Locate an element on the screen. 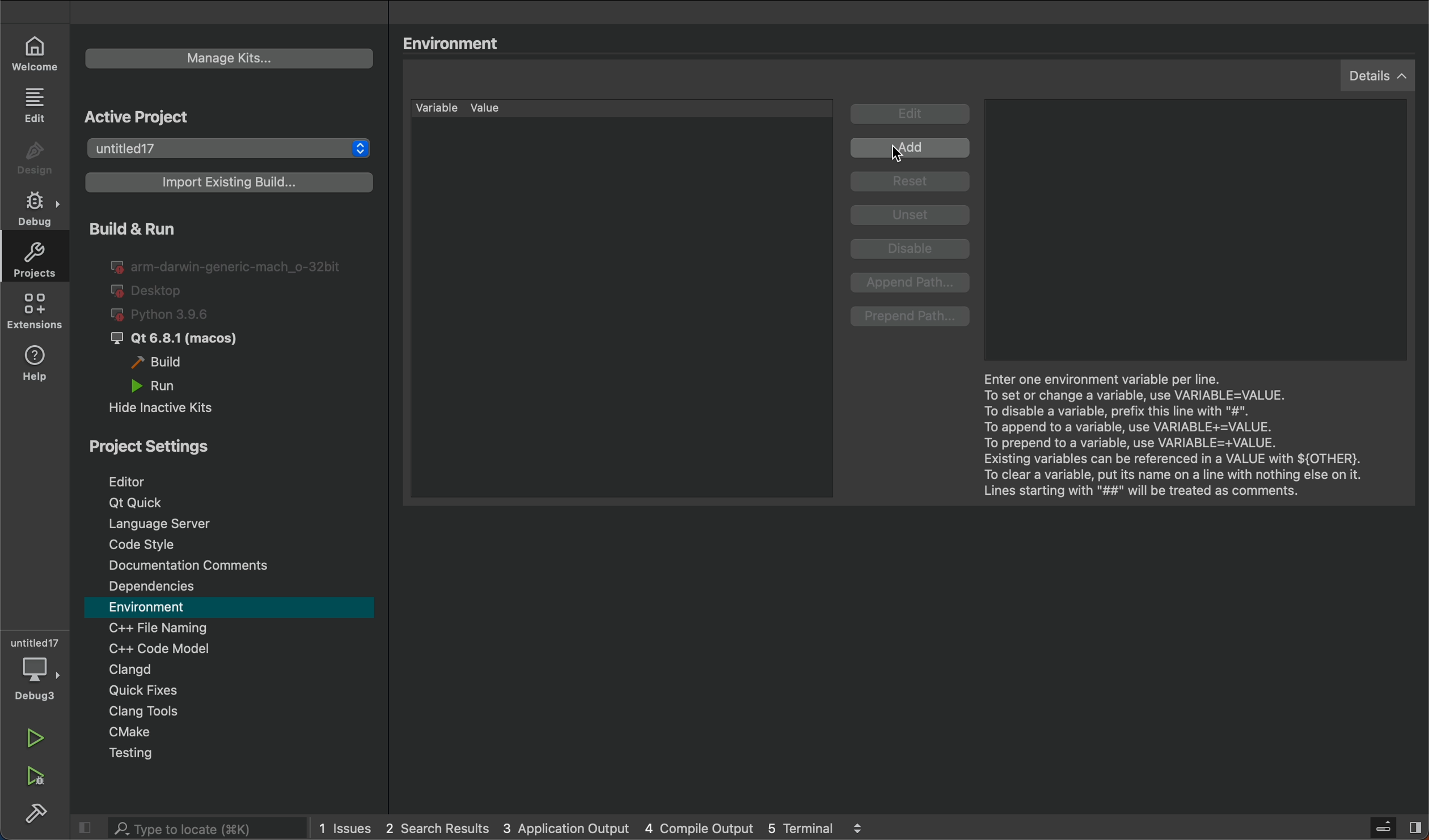  import build is located at coordinates (226, 187).